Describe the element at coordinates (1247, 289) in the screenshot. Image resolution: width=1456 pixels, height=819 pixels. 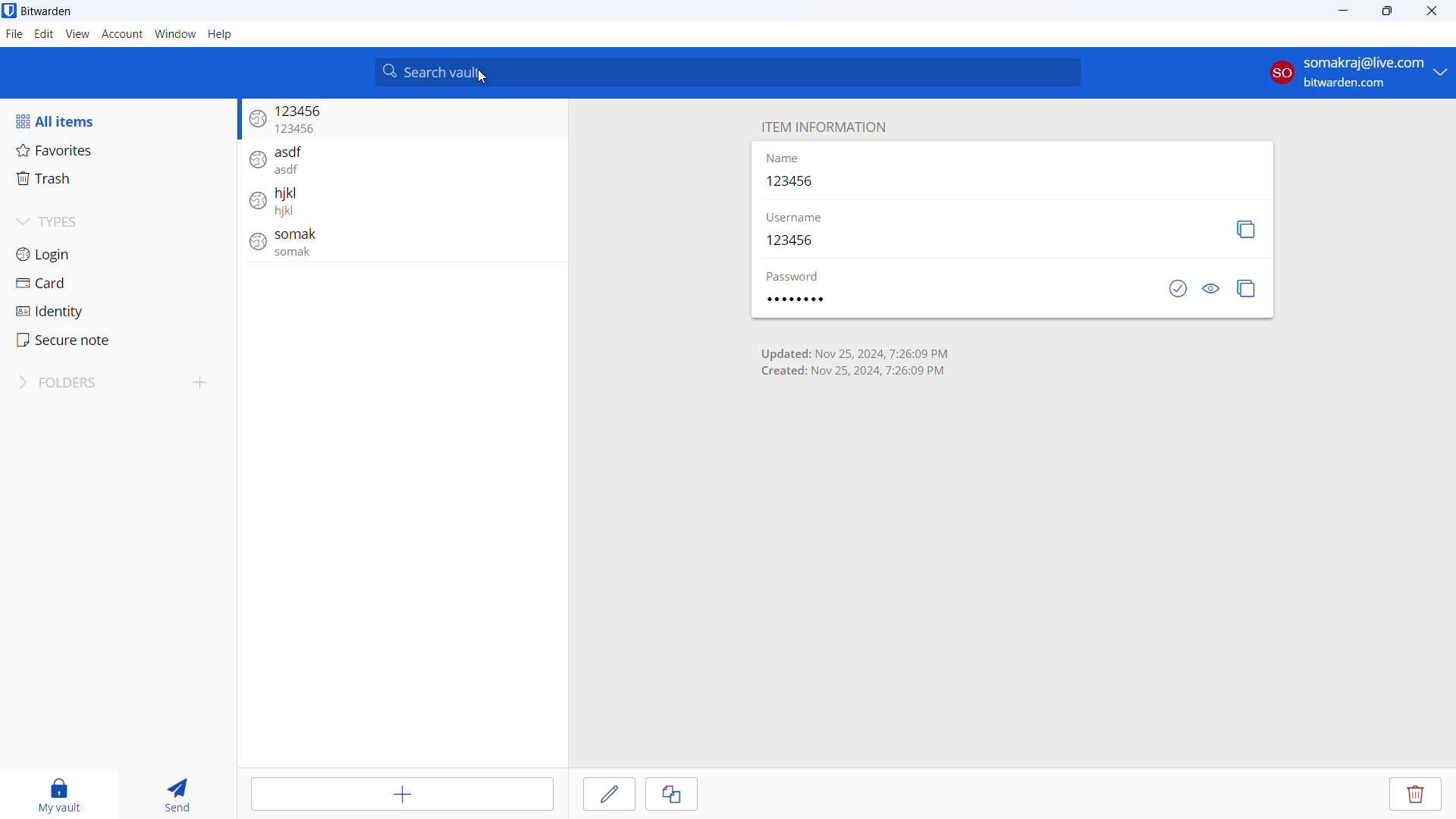
I see `copy password` at that location.